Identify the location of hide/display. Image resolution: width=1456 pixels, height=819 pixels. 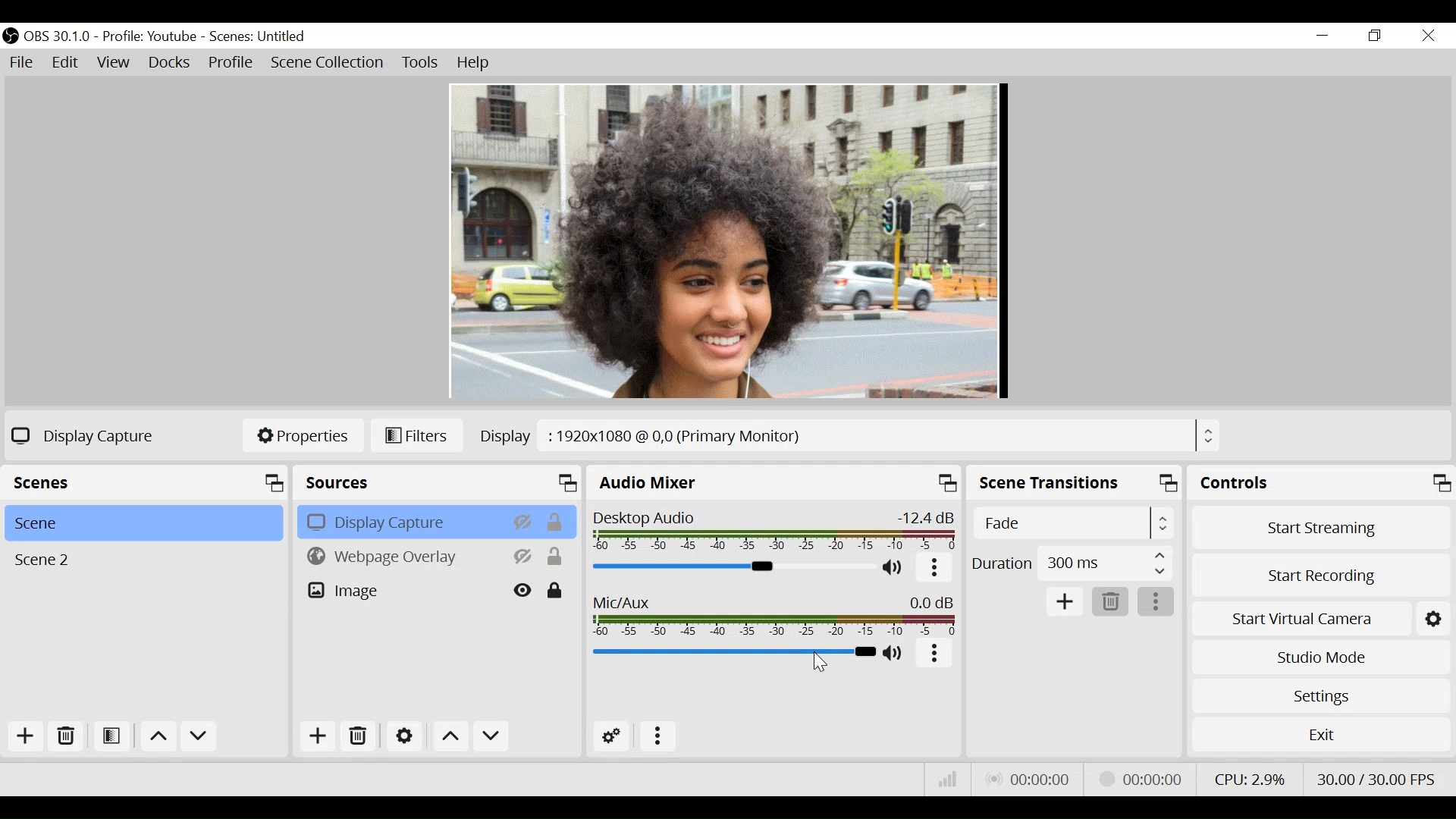
(524, 557).